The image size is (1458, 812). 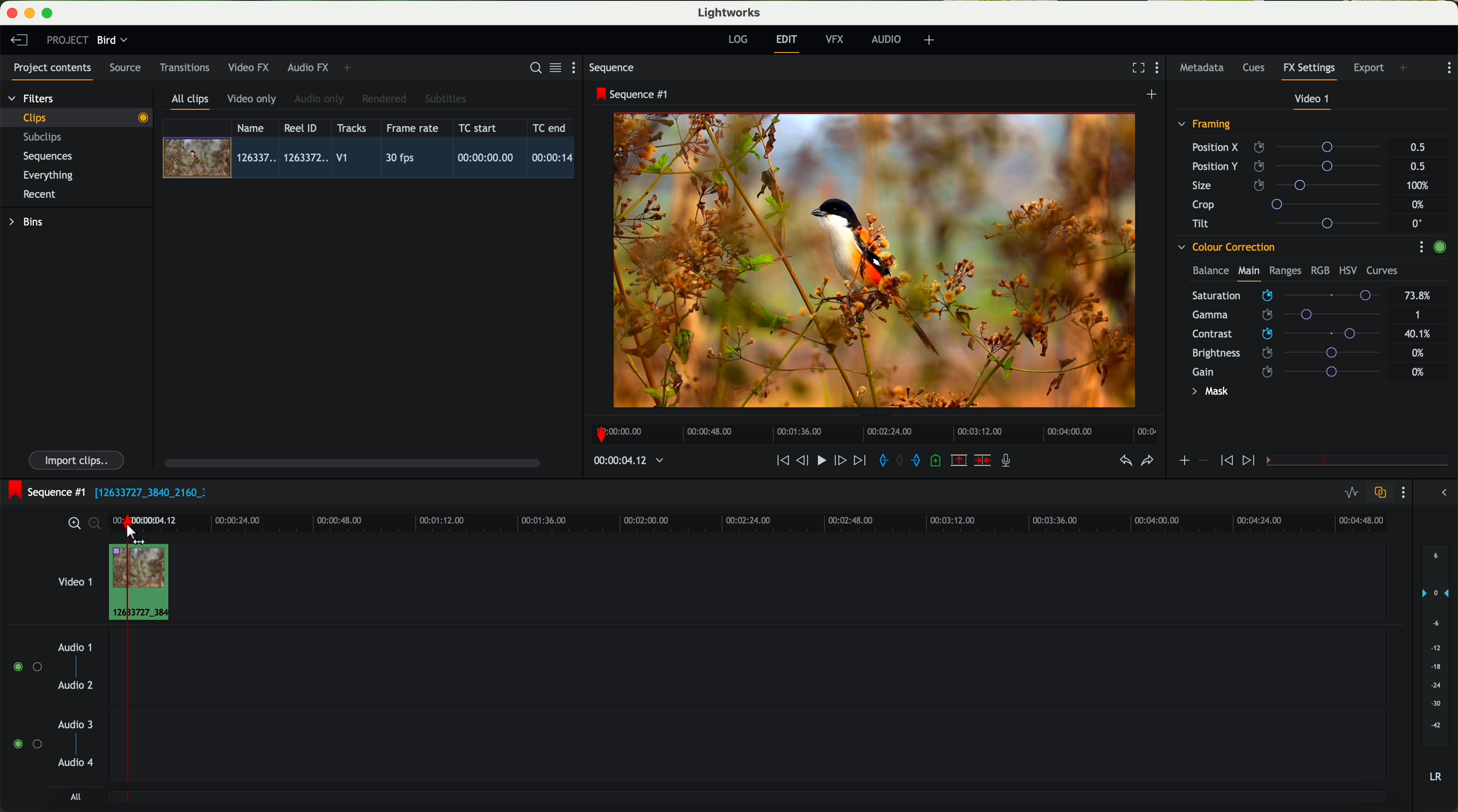 What do you see at coordinates (1418, 223) in the screenshot?
I see `0°` at bounding box center [1418, 223].